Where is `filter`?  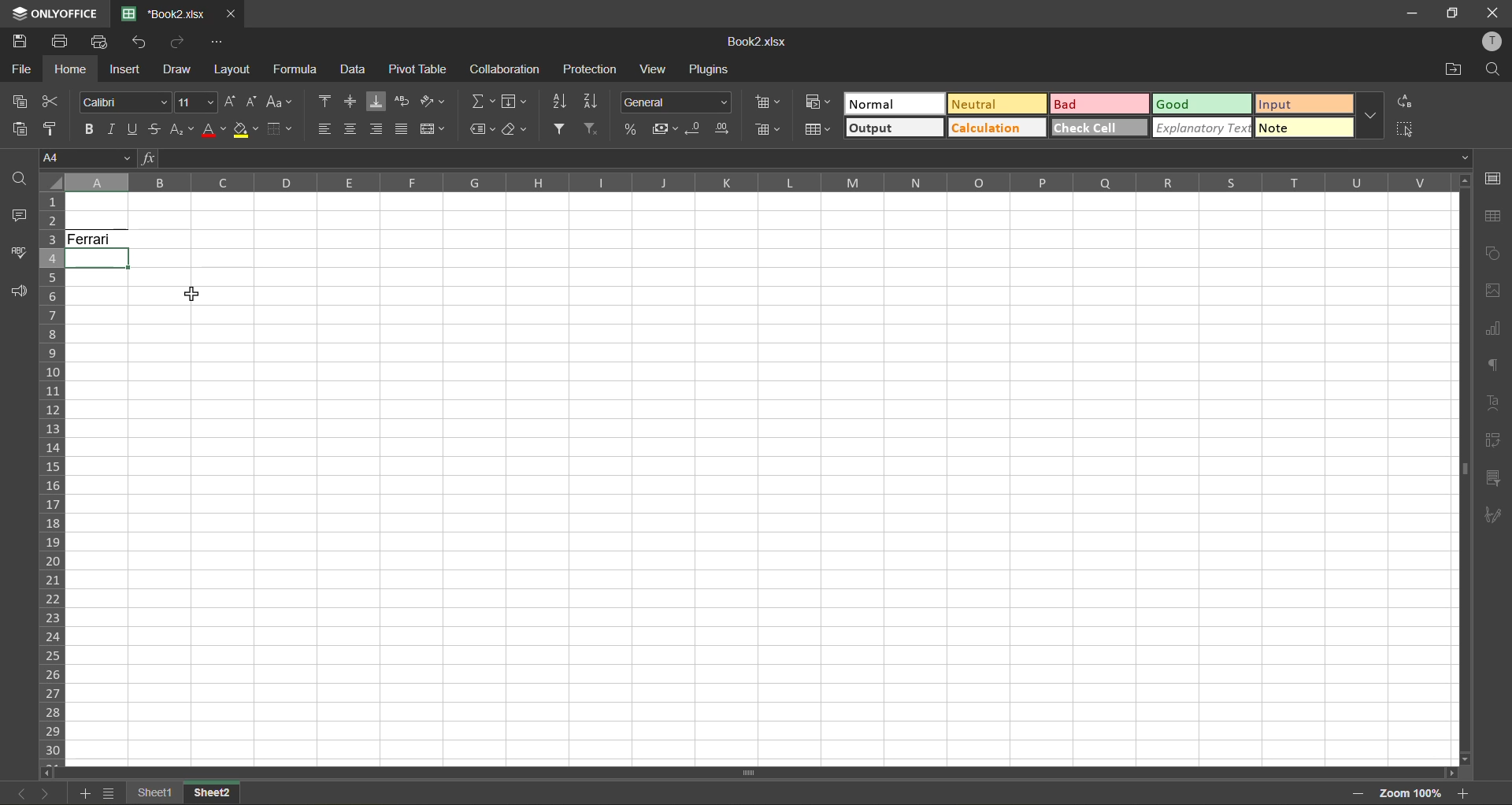 filter is located at coordinates (560, 128).